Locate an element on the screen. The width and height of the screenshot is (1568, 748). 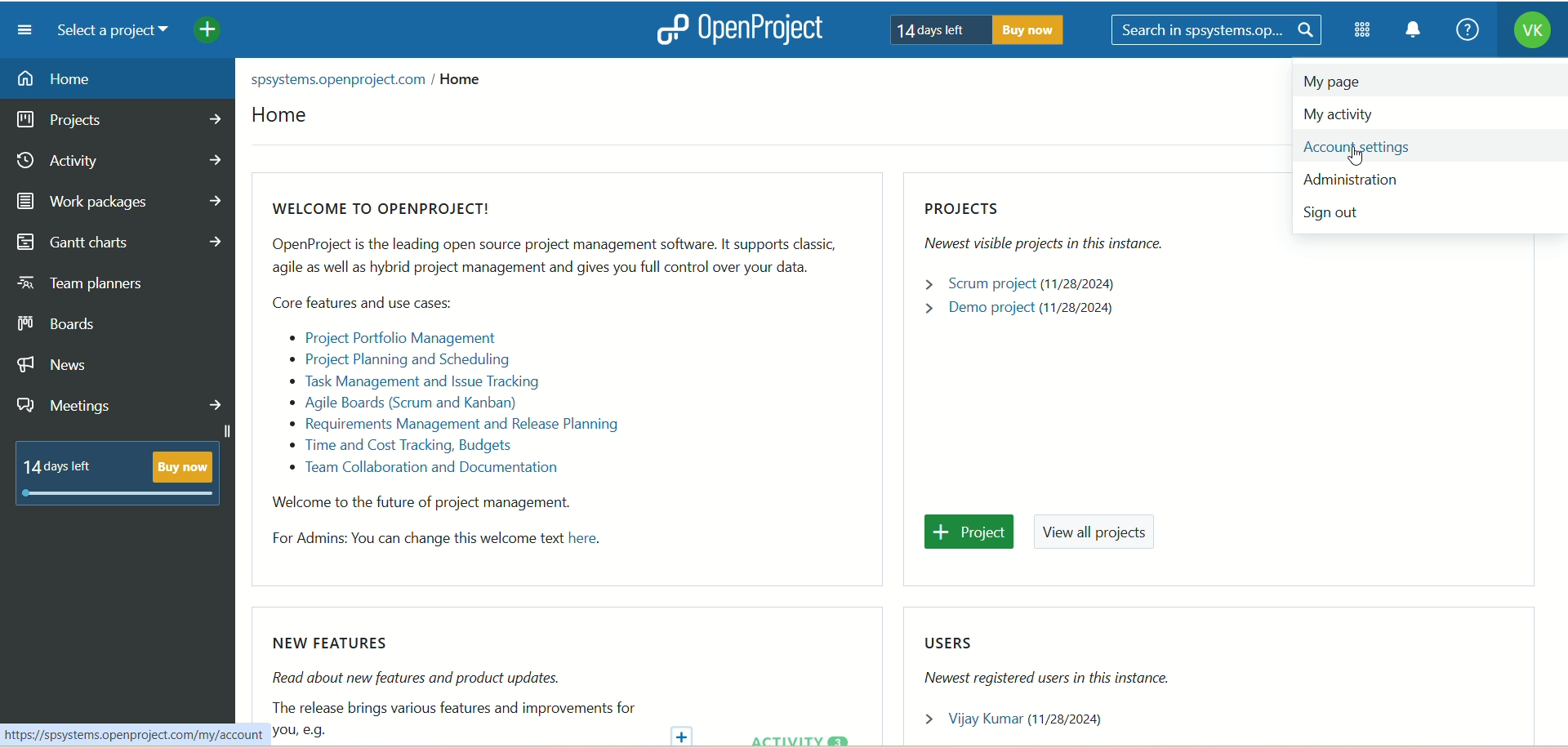
meetings is located at coordinates (123, 403).